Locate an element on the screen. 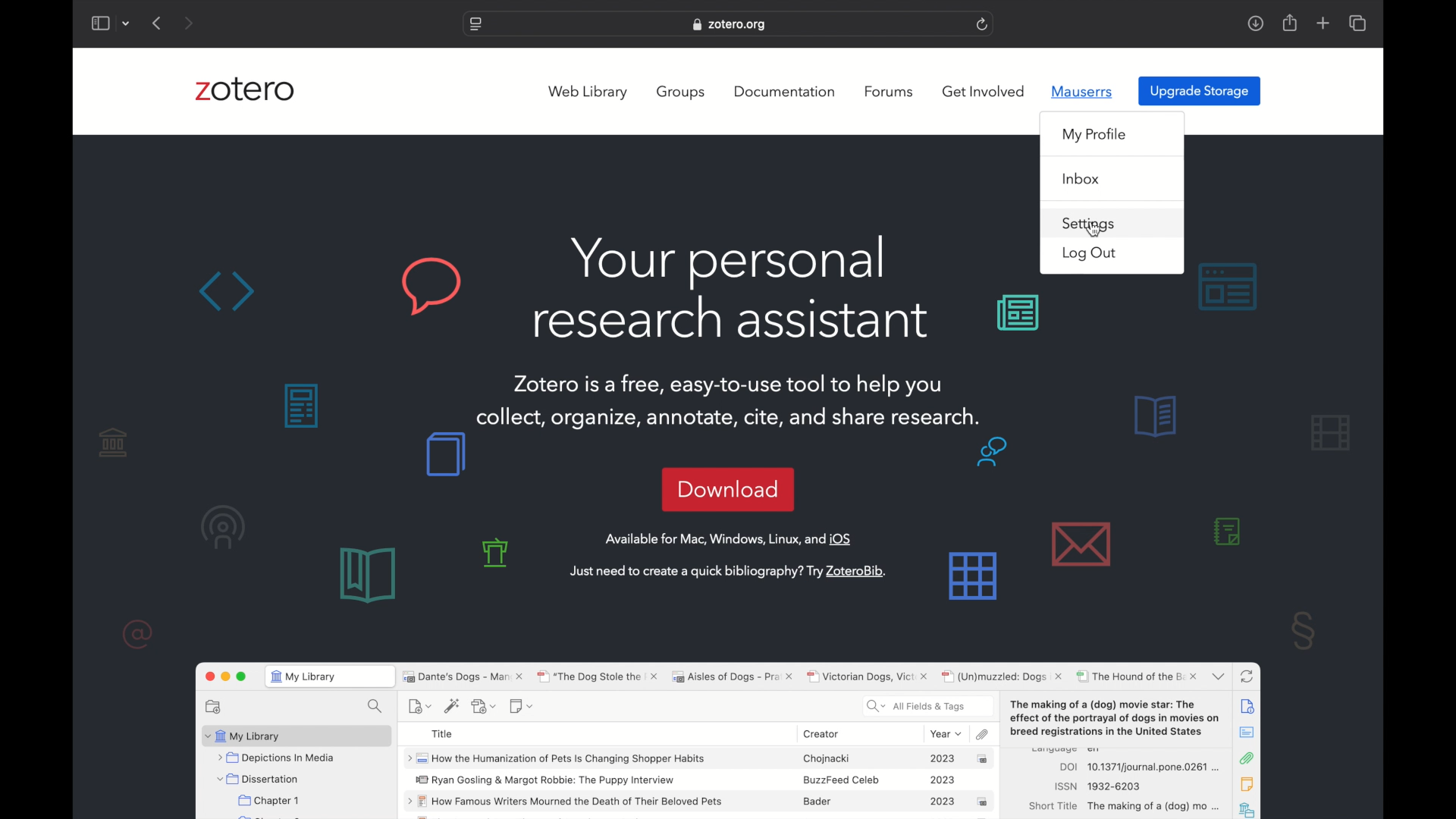 This screenshot has width=1456, height=819. zotero.org is located at coordinates (731, 25).